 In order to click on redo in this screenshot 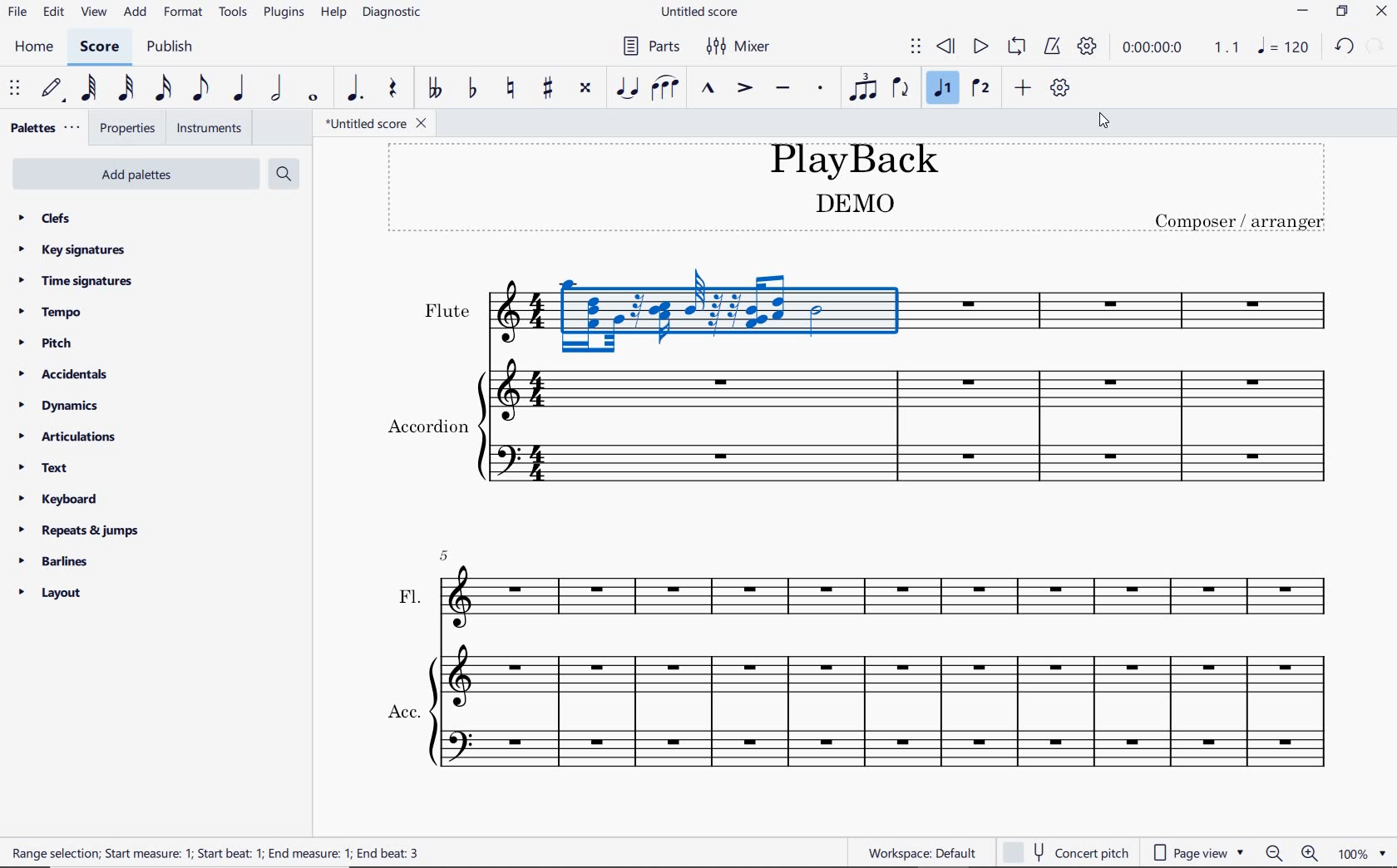, I will do `click(1375, 45)`.